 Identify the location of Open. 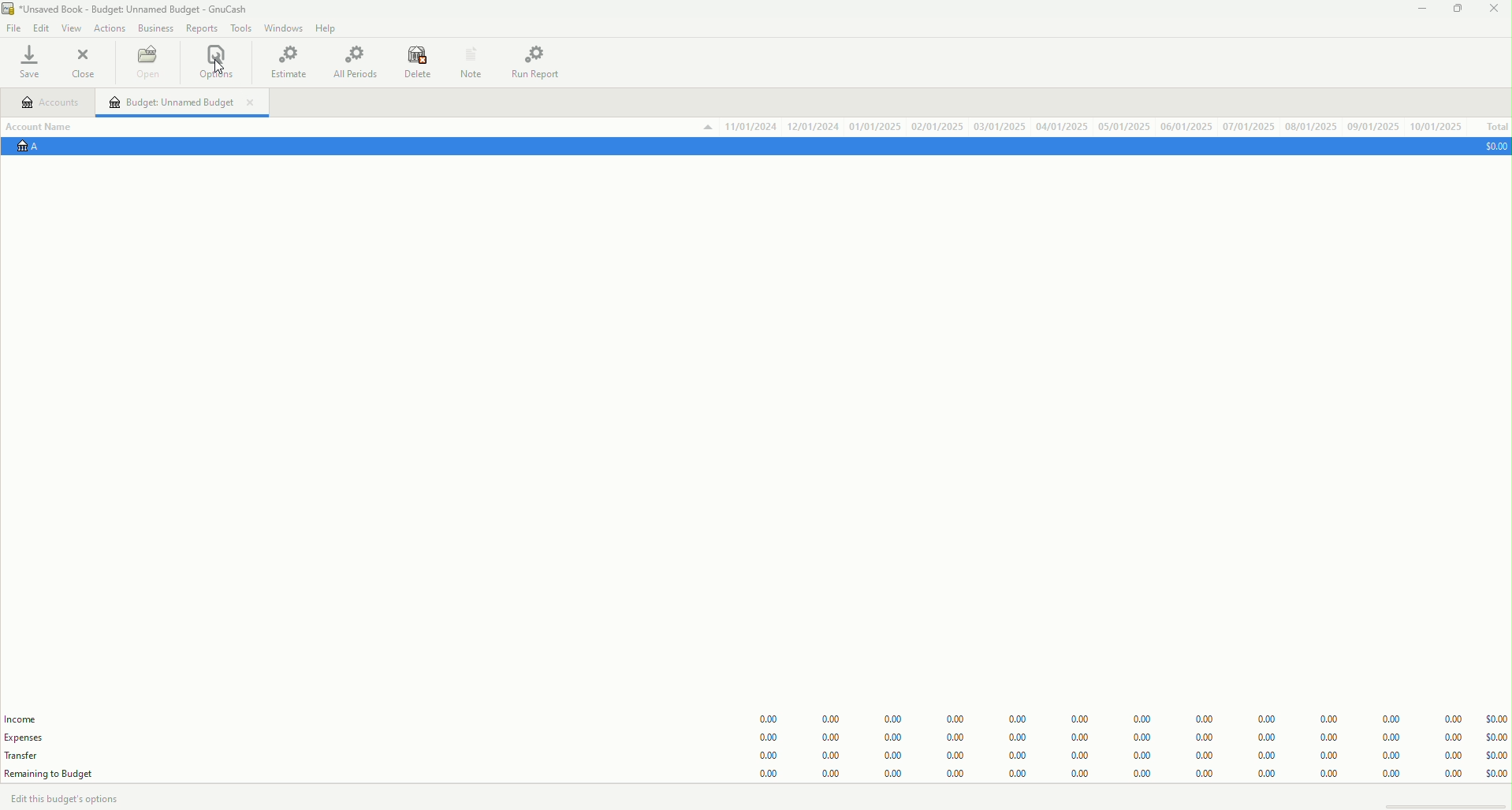
(147, 65).